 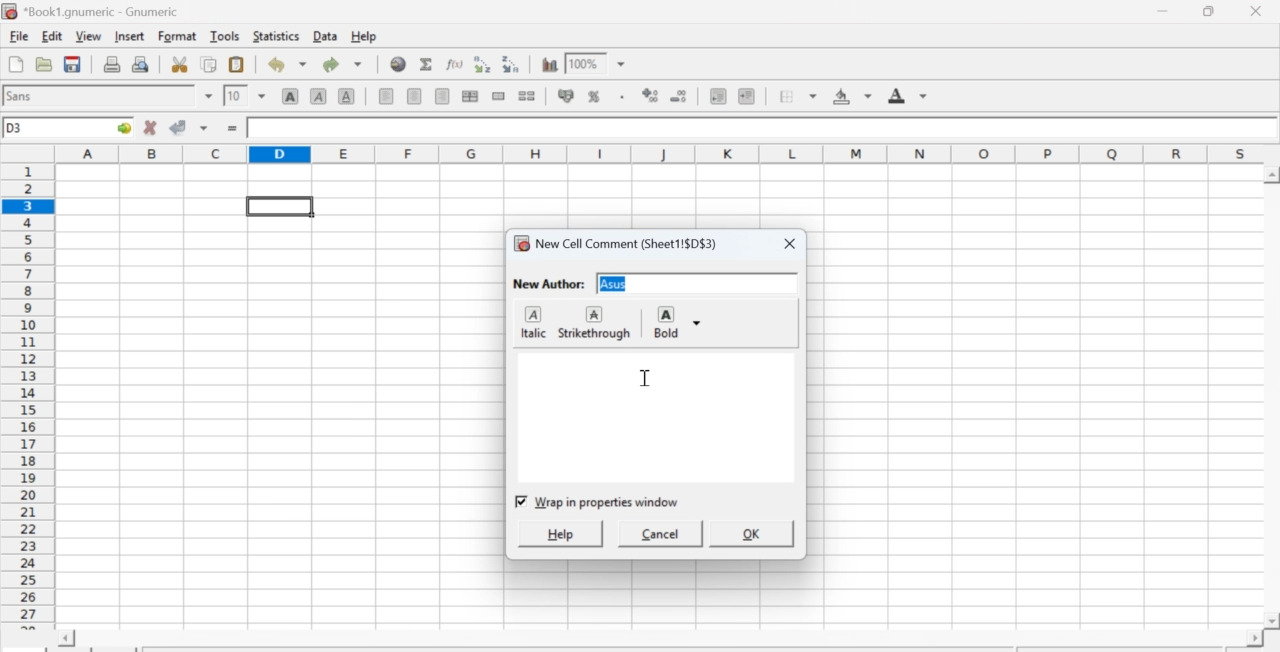 I want to click on Foreground, so click(x=908, y=97).